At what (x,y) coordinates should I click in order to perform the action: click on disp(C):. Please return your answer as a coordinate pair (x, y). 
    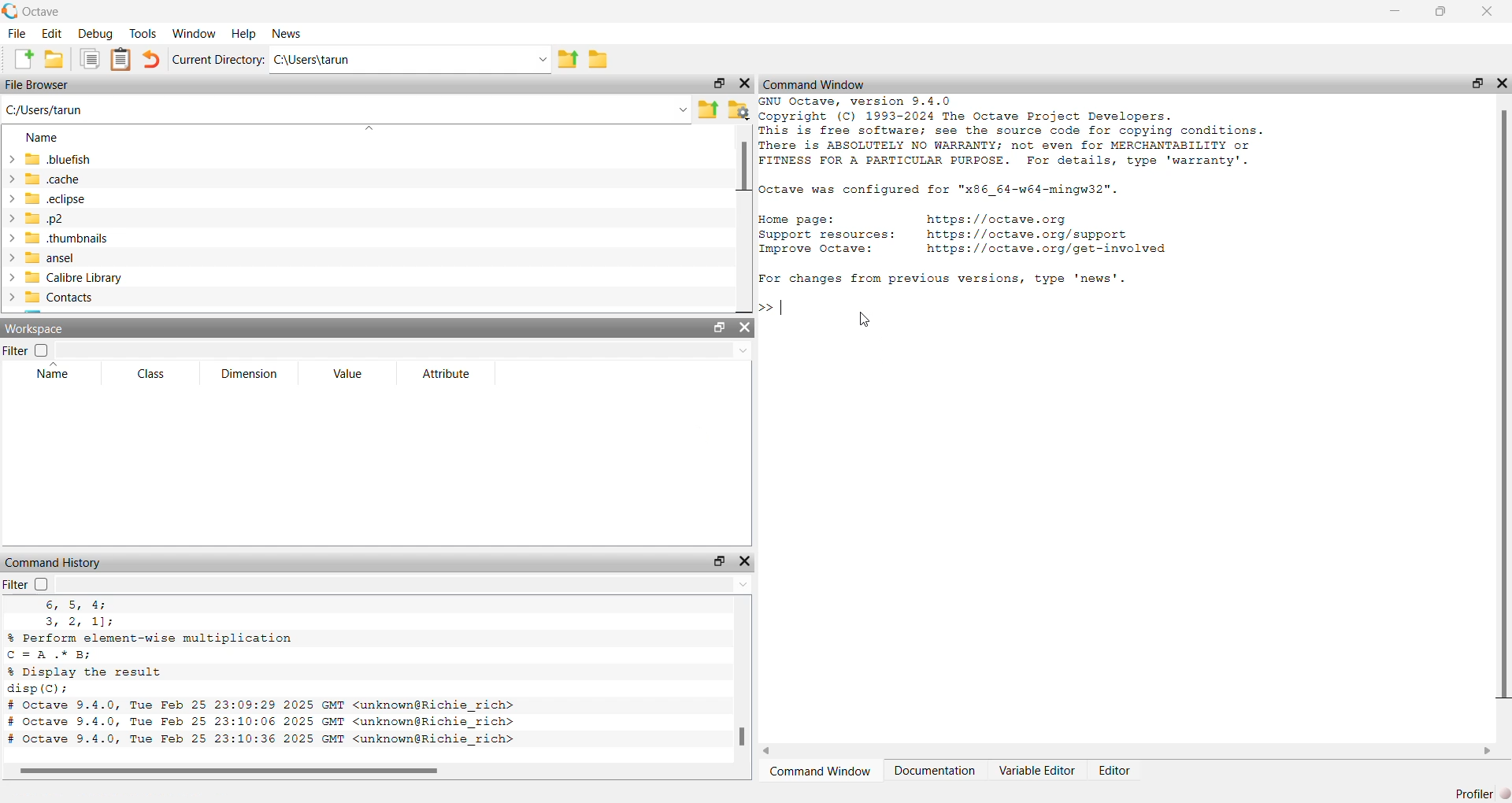
    Looking at the image, I should click on (38, 689).